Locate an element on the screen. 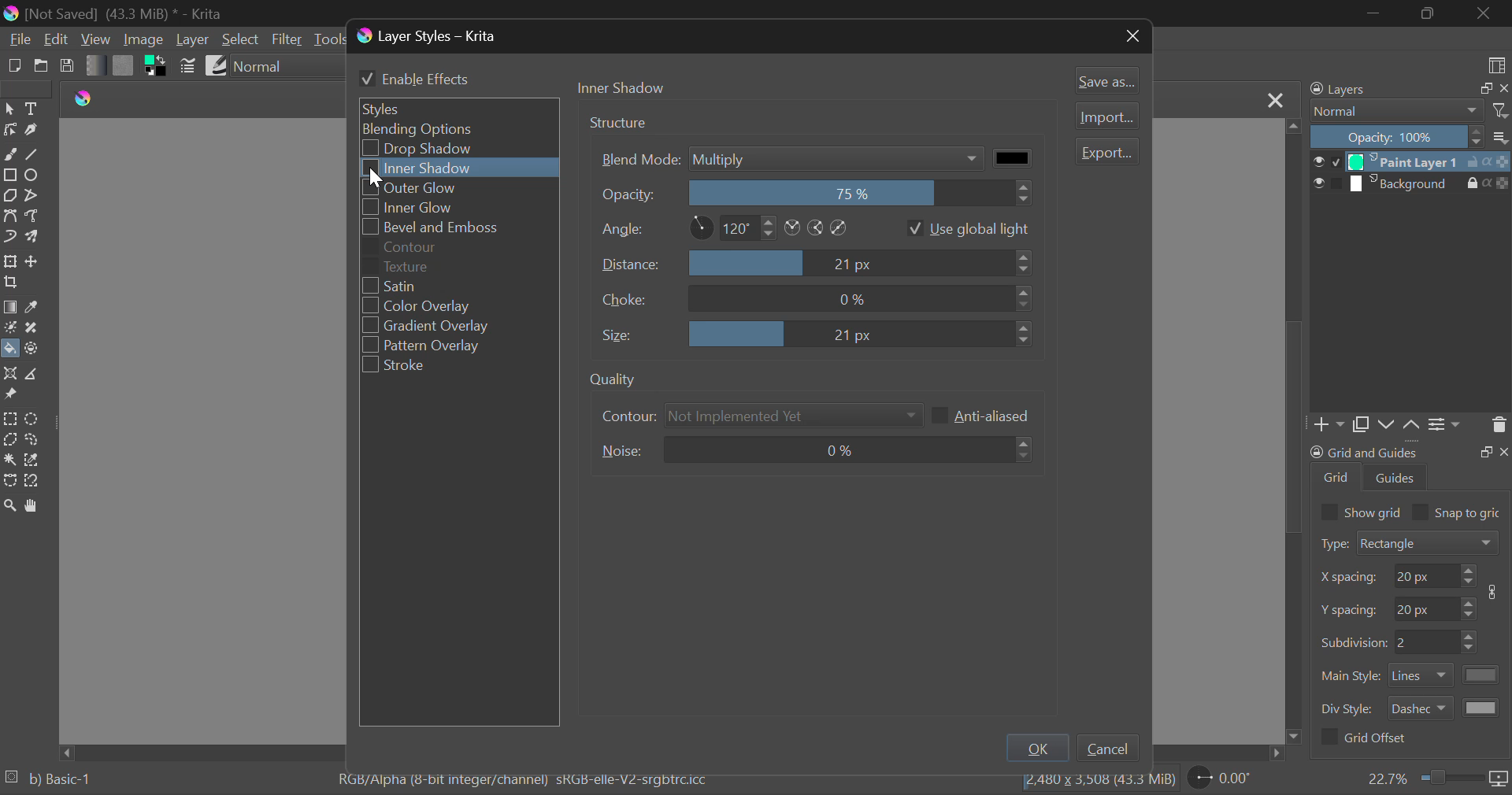 This screenshot has width=1512, height=795. Restore Down is located at coordinates (1375, 13).